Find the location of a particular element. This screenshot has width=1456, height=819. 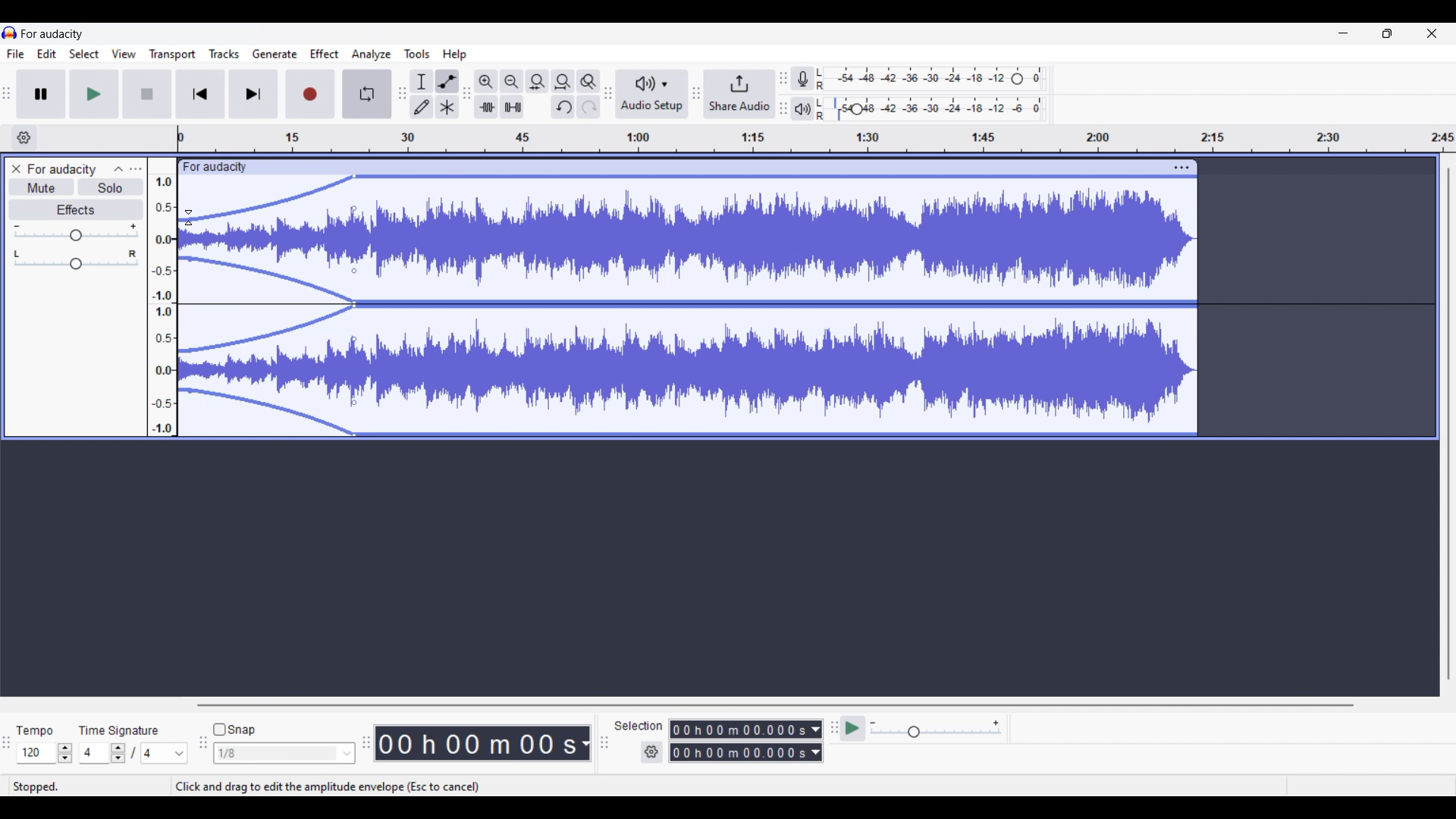

Click and drag to edit the amplitude envelope (Esc to cancel) is located at coordinates (328, 787).